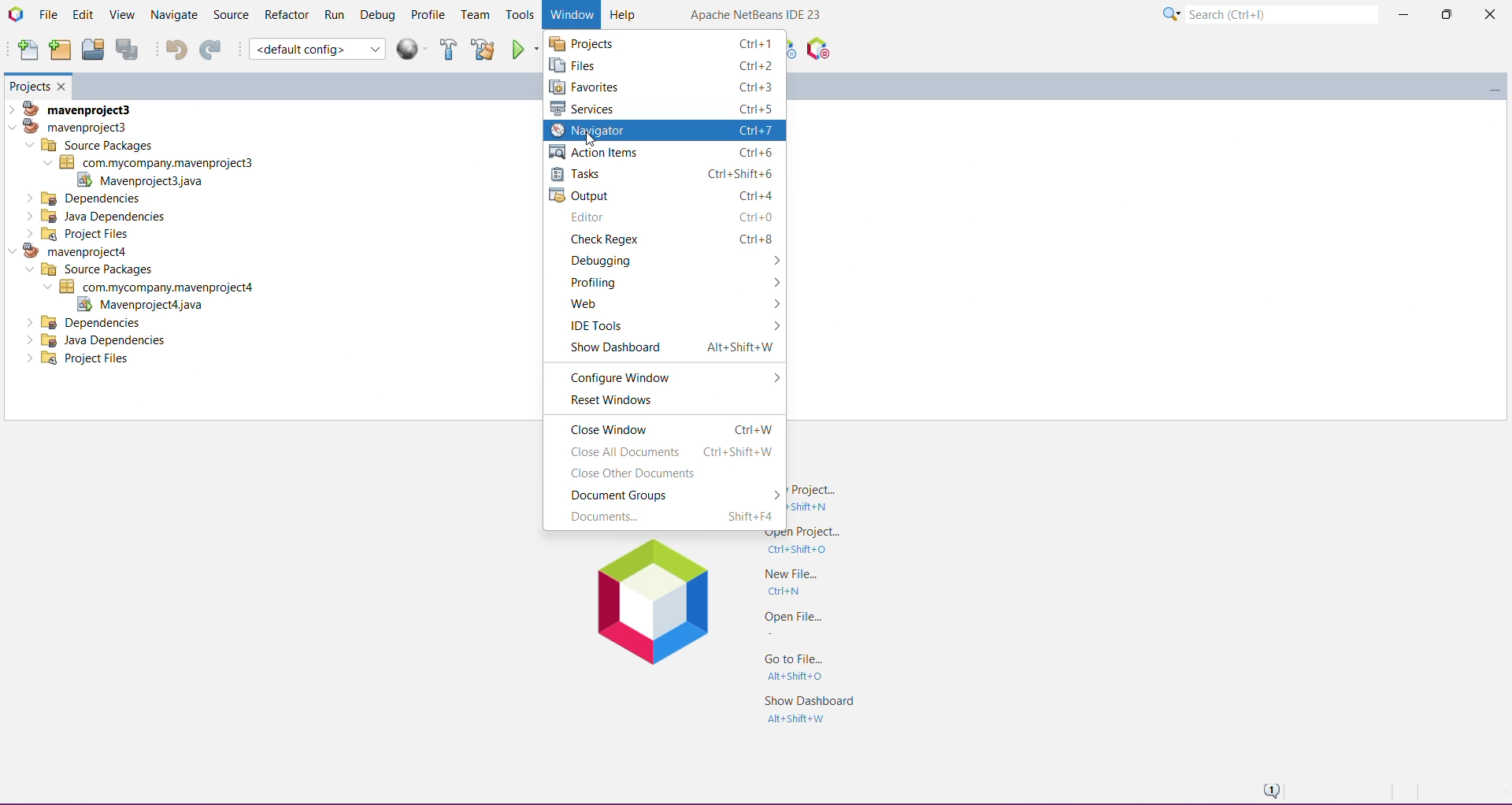 This screenshot has width=1512, height=805. Describe the element at coordinates (1171, 15) in the screenshot. I see `Click or Press Ctrl+F10 for Category Selection` at that location.